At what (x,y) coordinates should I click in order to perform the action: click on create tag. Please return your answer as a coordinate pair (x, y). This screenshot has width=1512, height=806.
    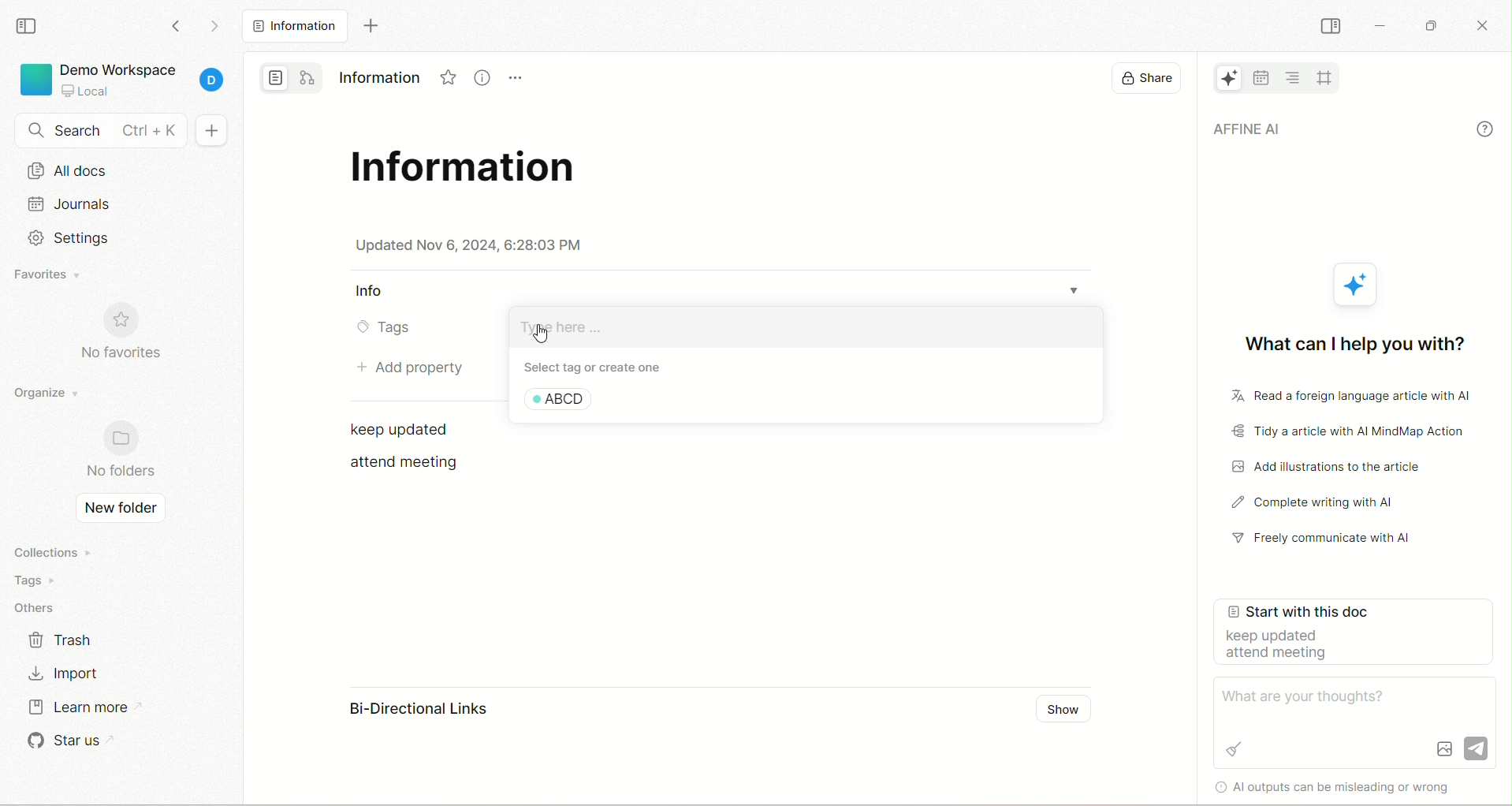
    Looking at the image, I should click on (803, 330).